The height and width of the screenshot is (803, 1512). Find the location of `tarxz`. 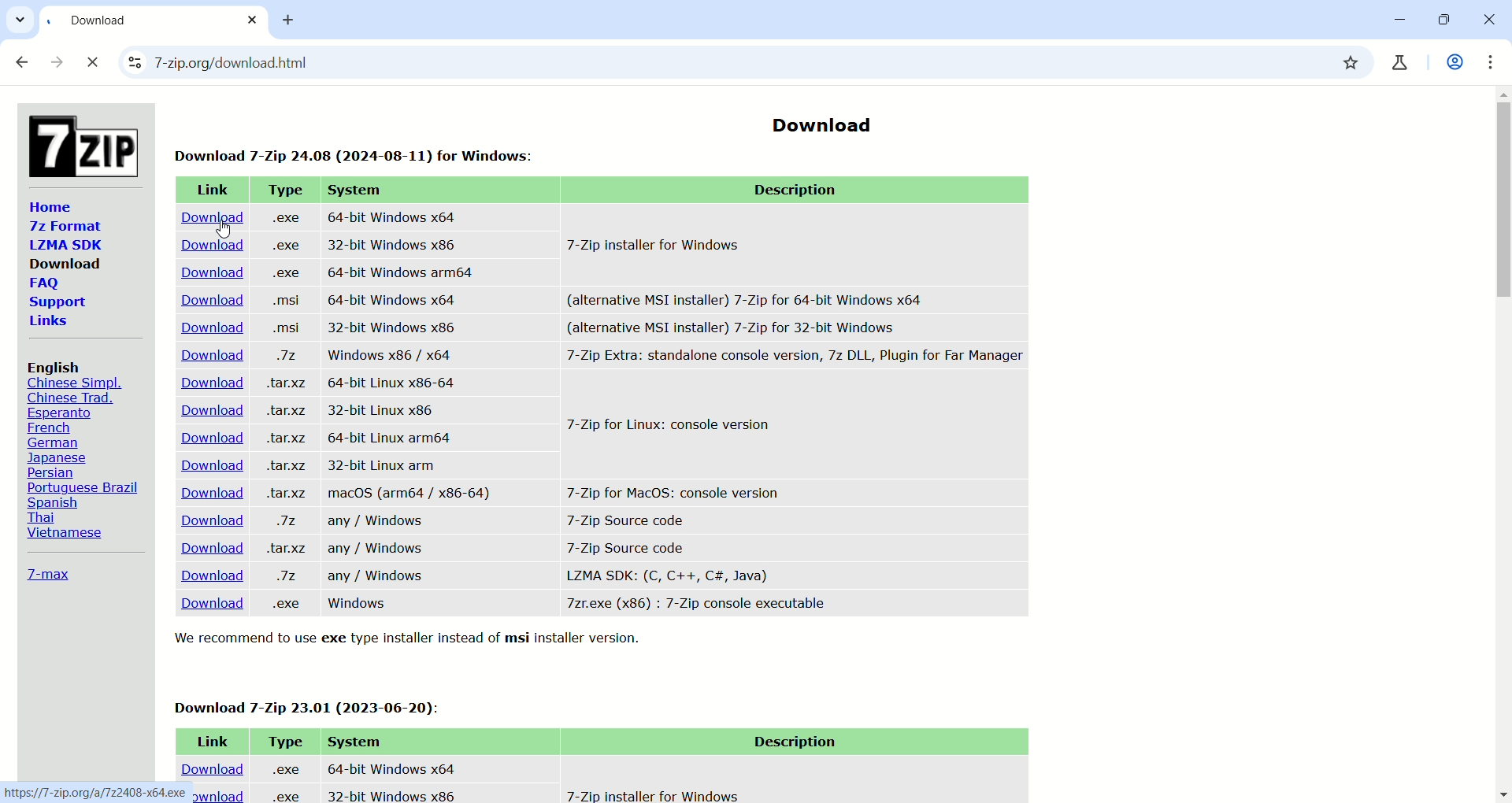

tarxz is located at coordinates (285, 412).